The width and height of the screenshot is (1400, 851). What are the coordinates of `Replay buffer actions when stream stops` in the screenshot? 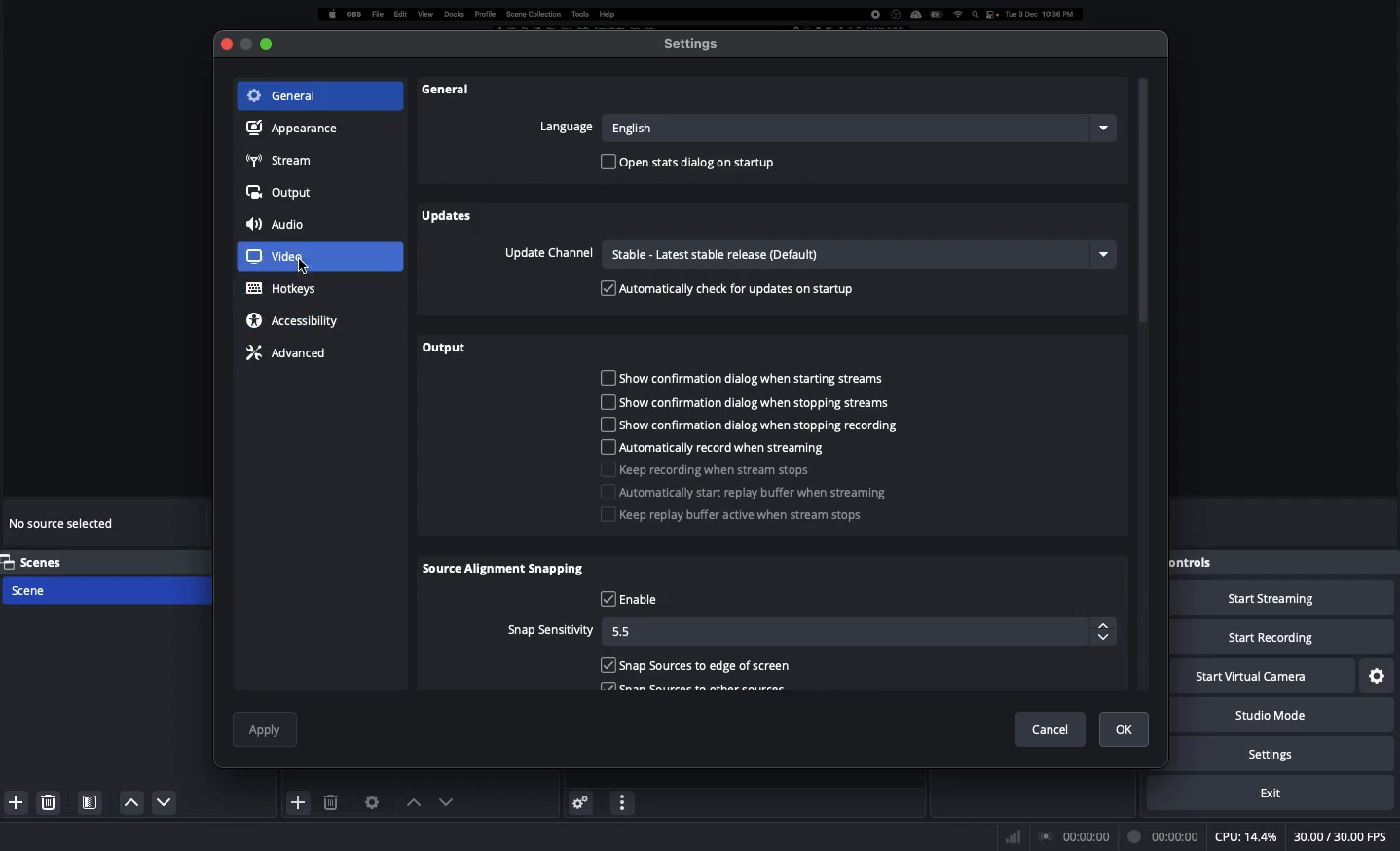 It's located at (738, 517).